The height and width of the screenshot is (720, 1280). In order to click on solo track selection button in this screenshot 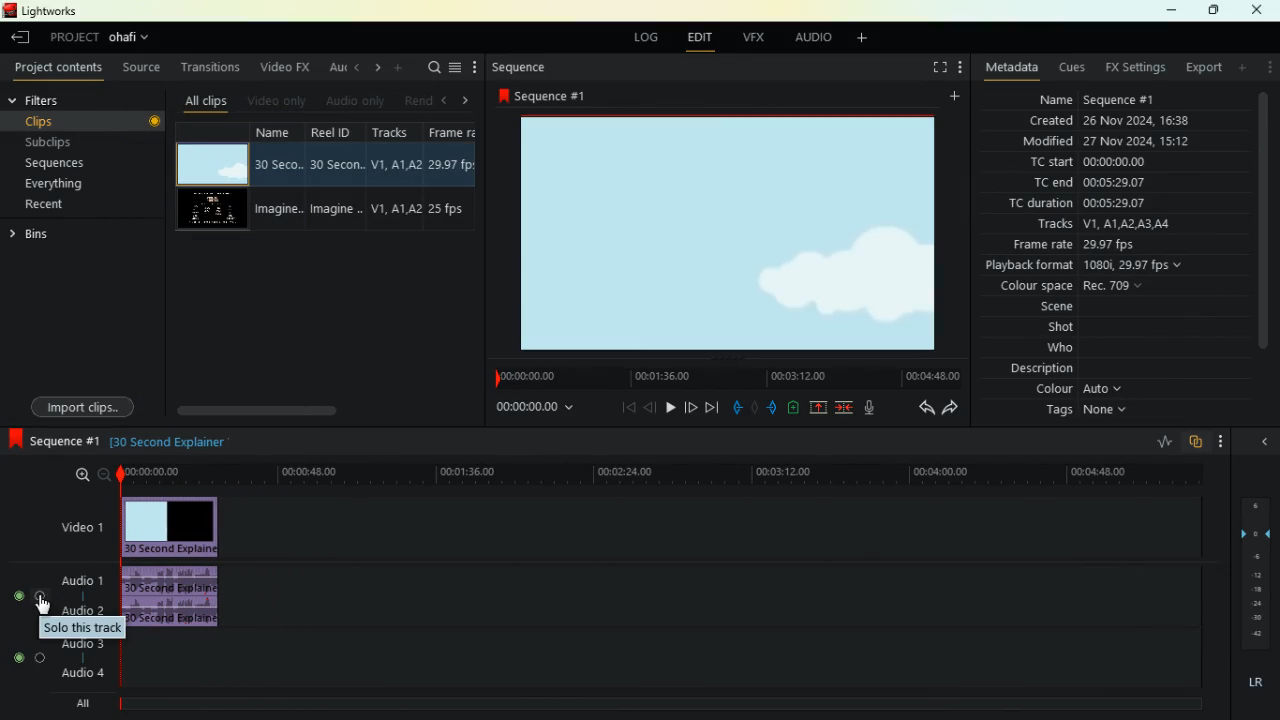, I will do `click(26, 593)`.